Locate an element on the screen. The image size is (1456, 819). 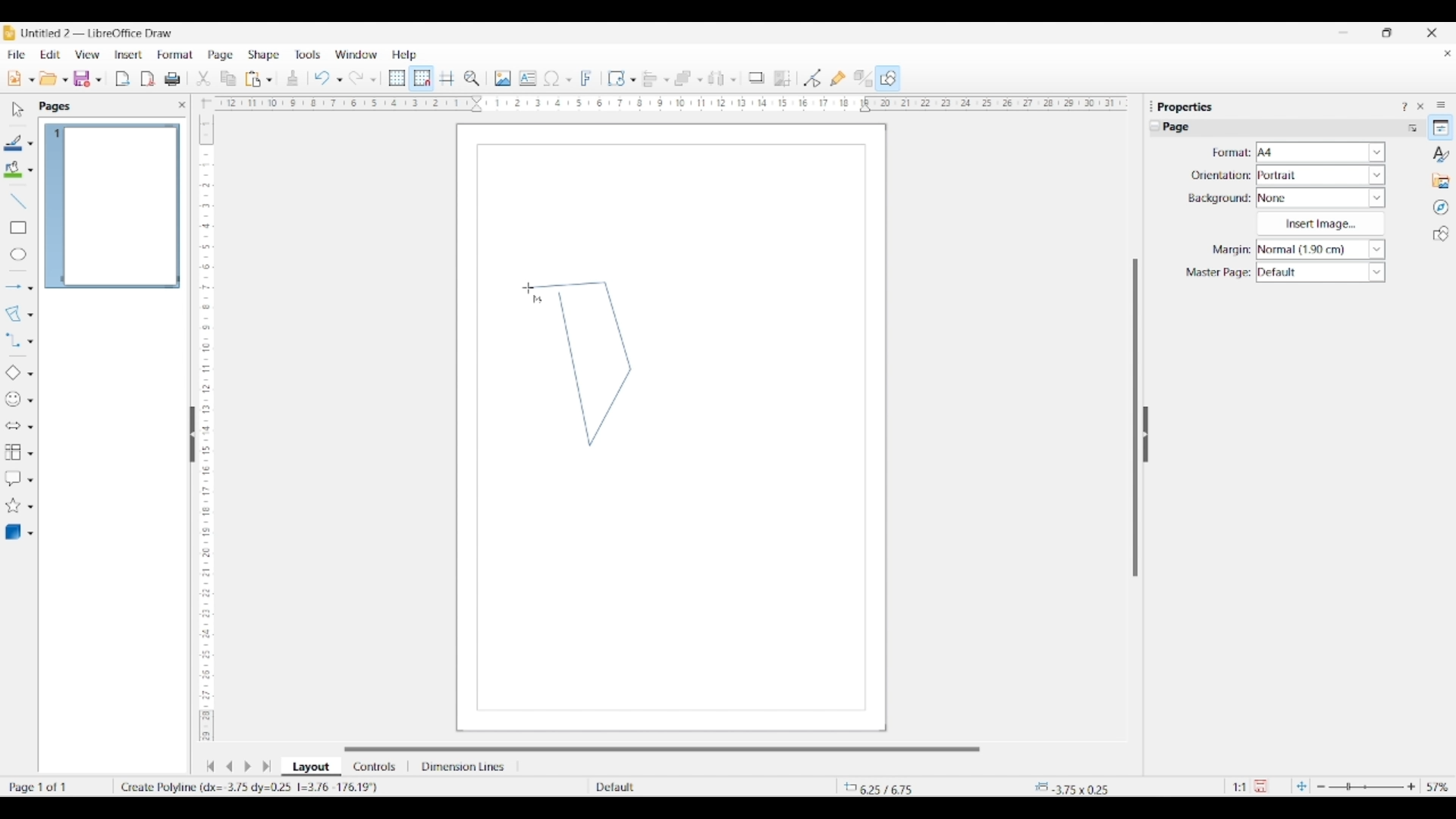
Close interface is located at coordinates (1432, 33).